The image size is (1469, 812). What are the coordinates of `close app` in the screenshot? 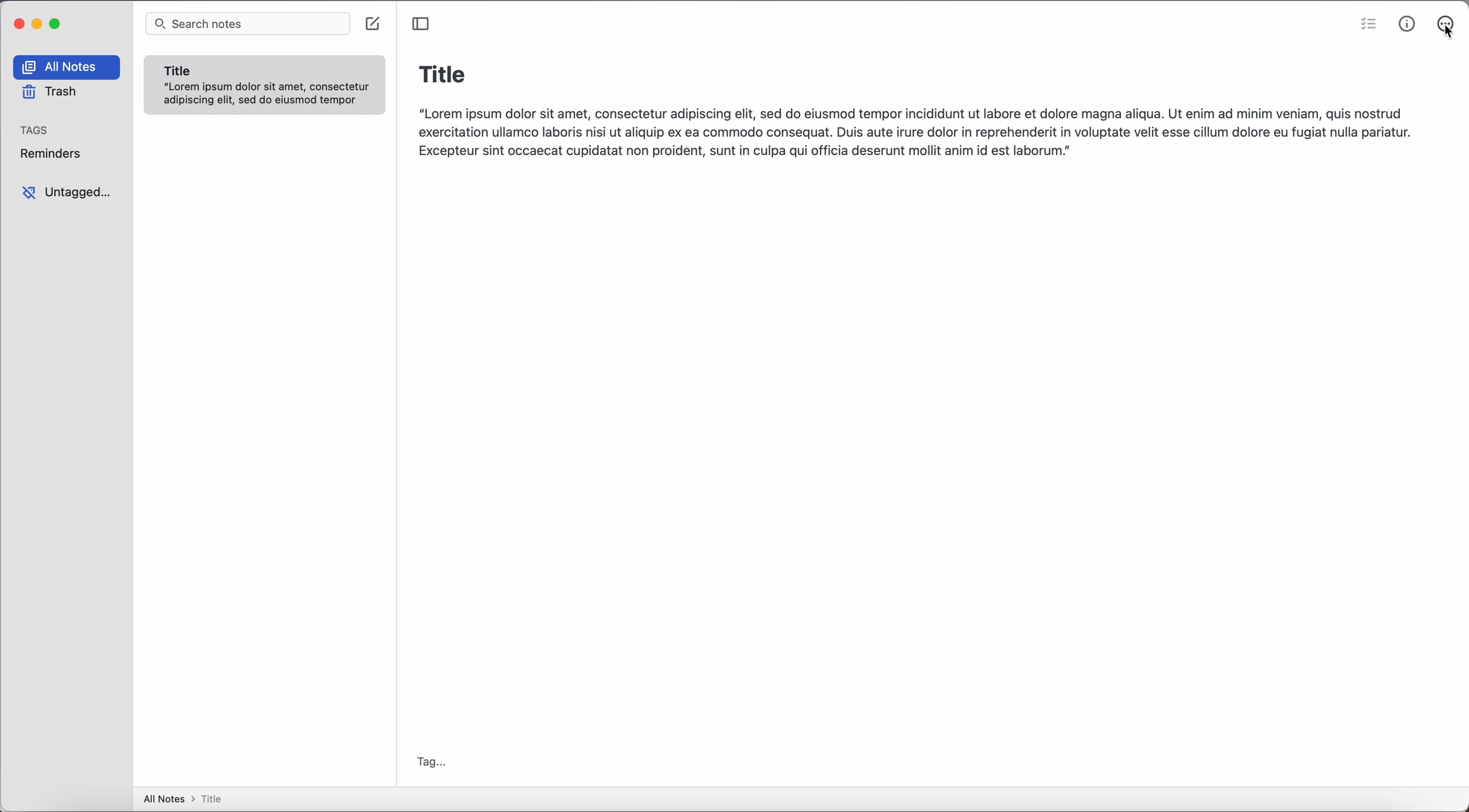 It's located at (17, 22).